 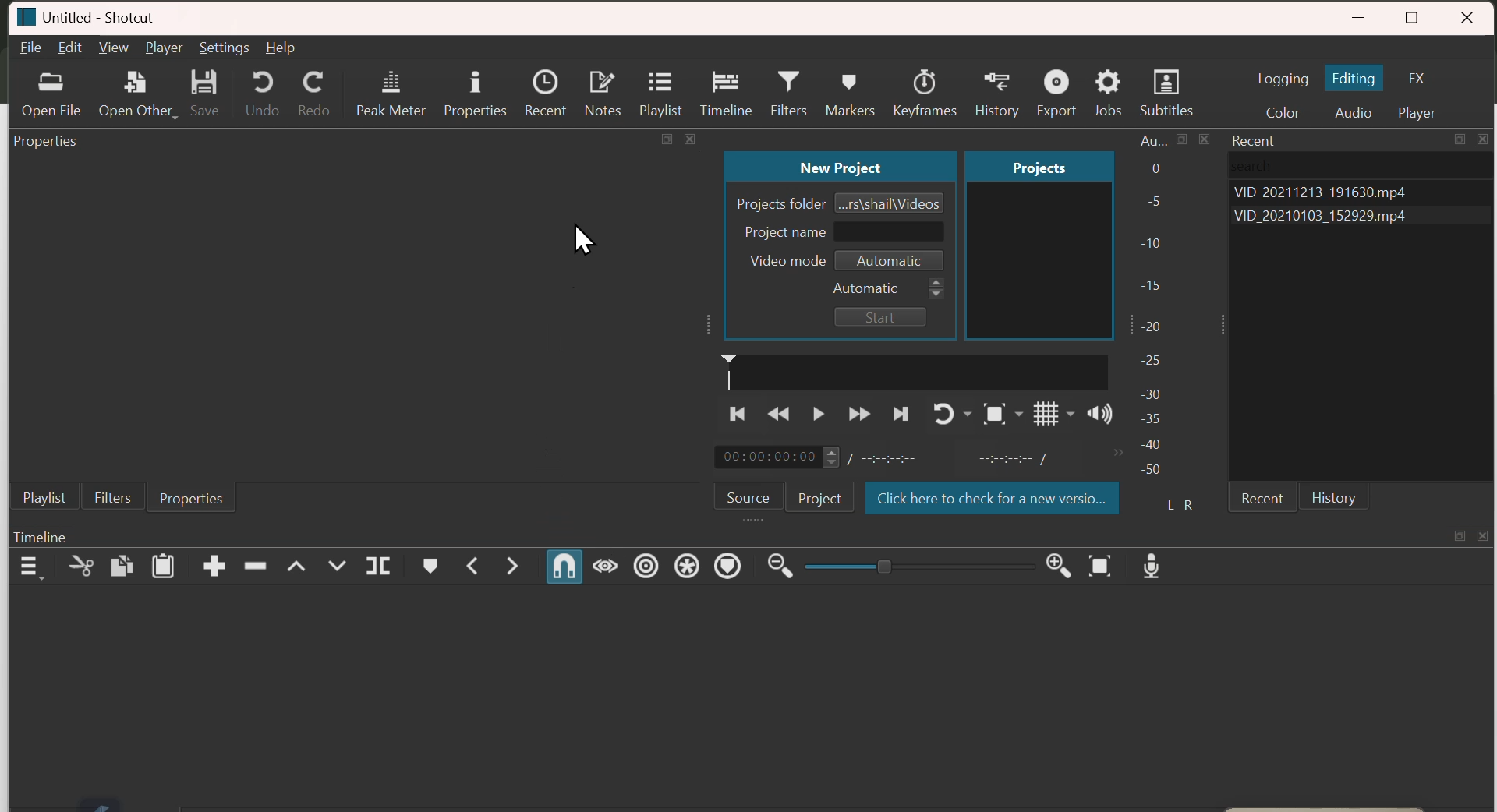 I want to click on Colour, so click(x=1283, y=108).